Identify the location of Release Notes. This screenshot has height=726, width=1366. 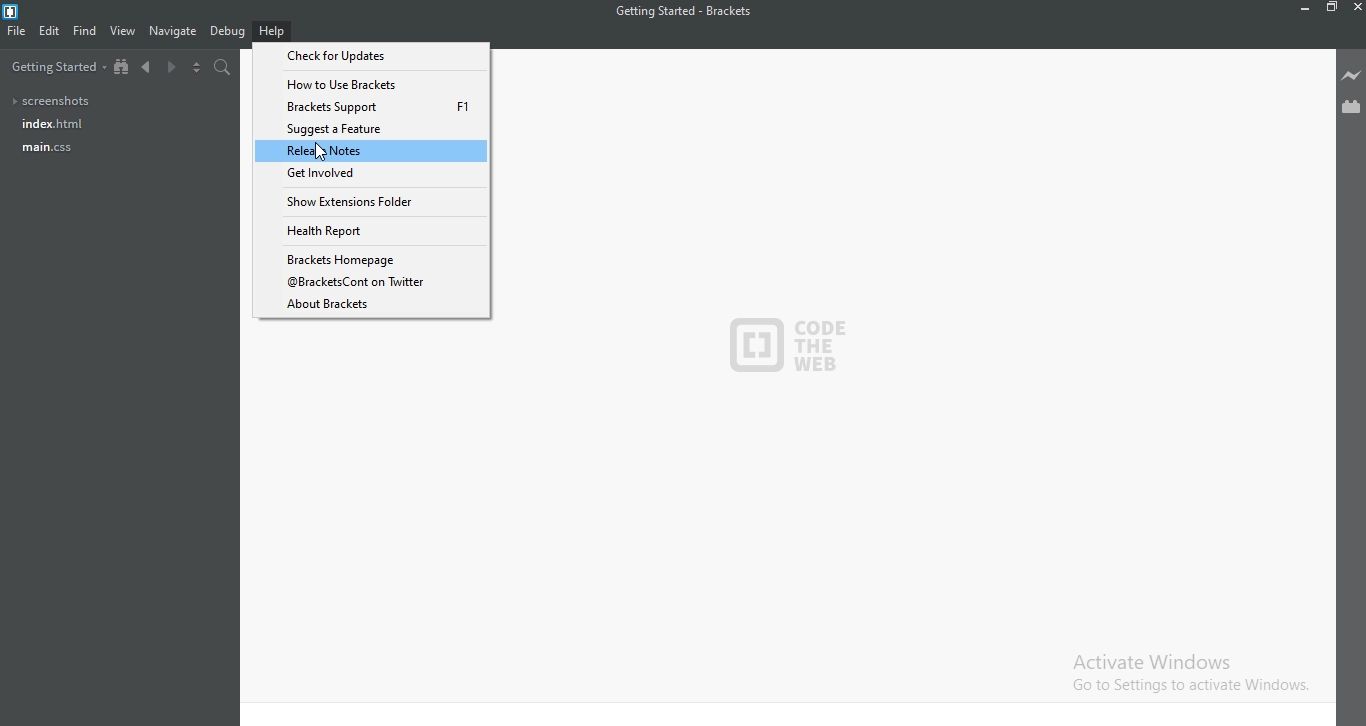
(372, 150).